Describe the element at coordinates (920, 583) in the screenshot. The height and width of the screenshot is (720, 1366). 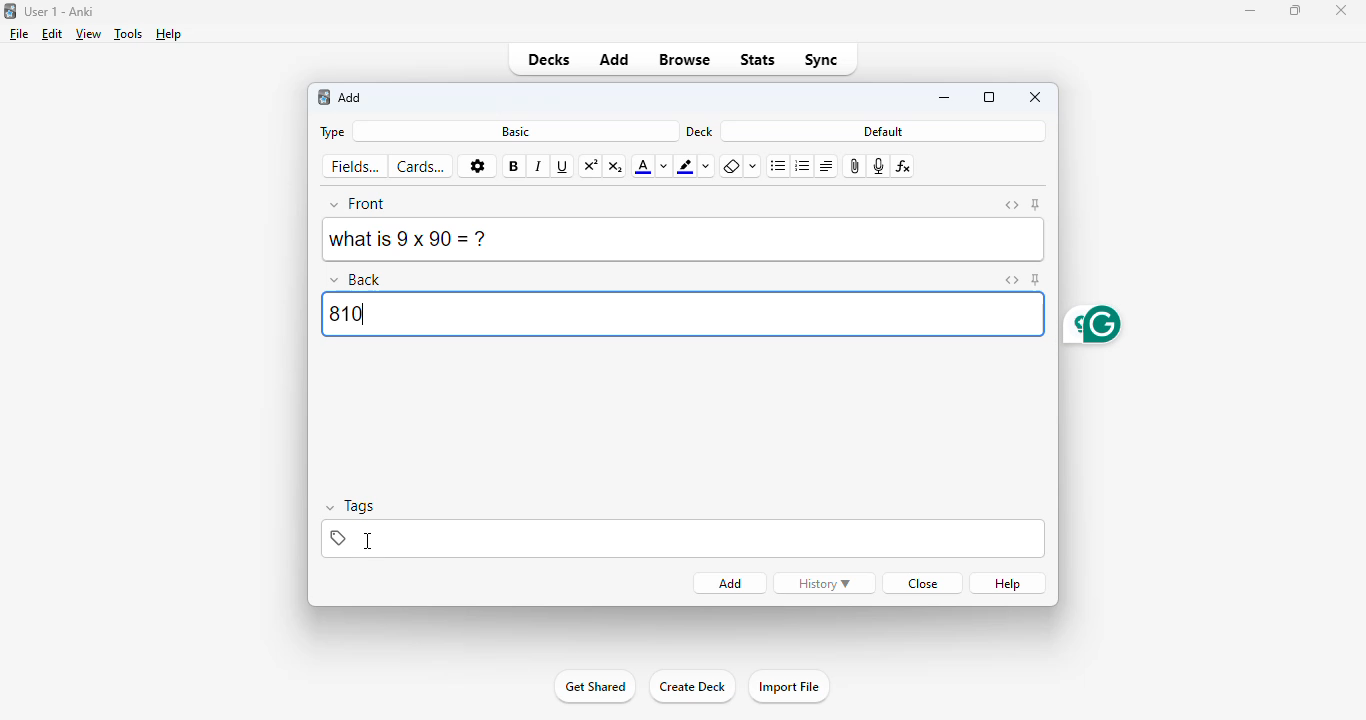
I see `close` at that location.